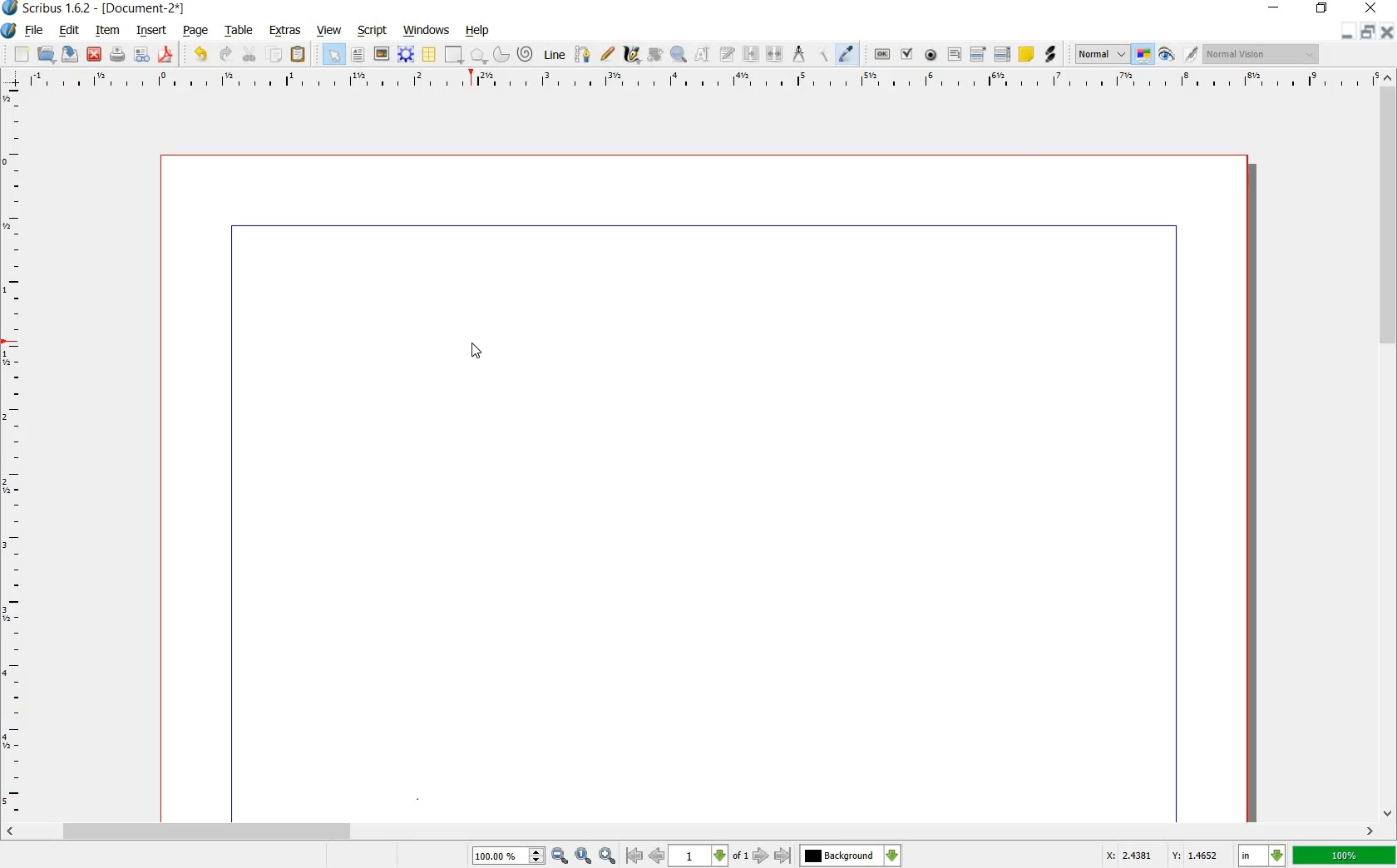 The image size is (1397, 868). I want to click on ARC, so click(501, 53).